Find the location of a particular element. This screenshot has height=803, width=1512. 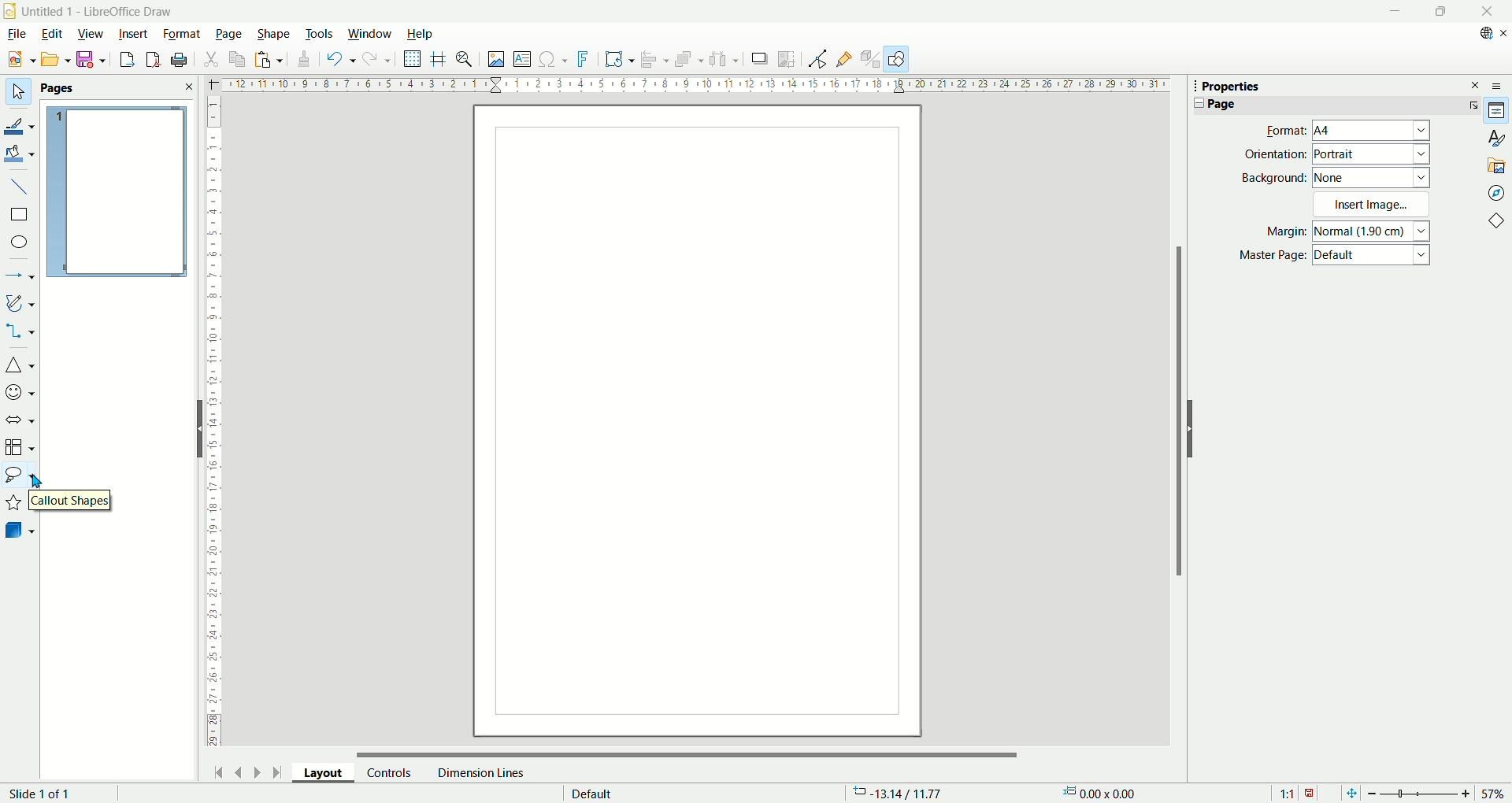

paste is located at coordinates (268, 59).